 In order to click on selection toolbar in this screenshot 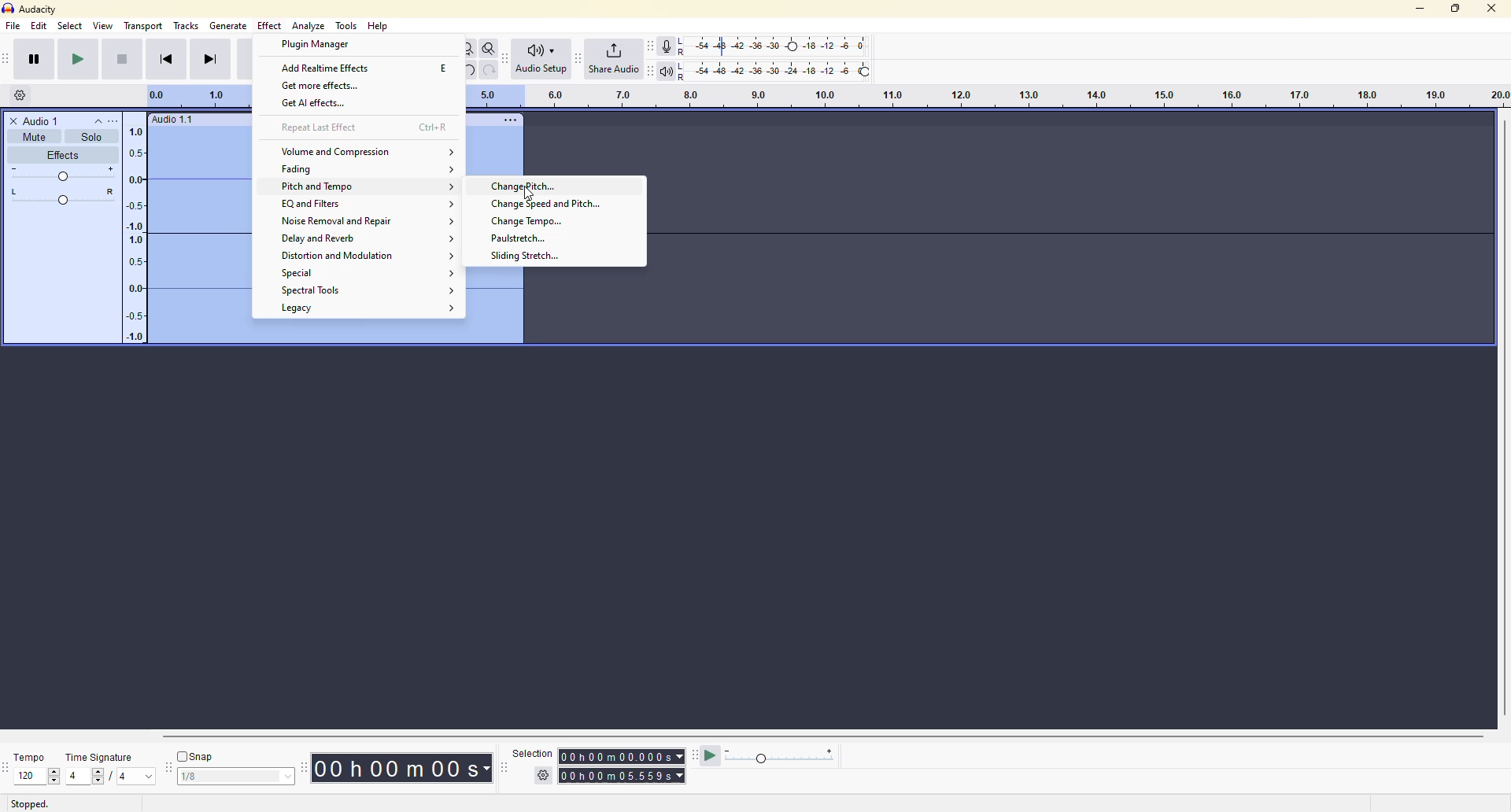, I will do `click(501, 768)`.